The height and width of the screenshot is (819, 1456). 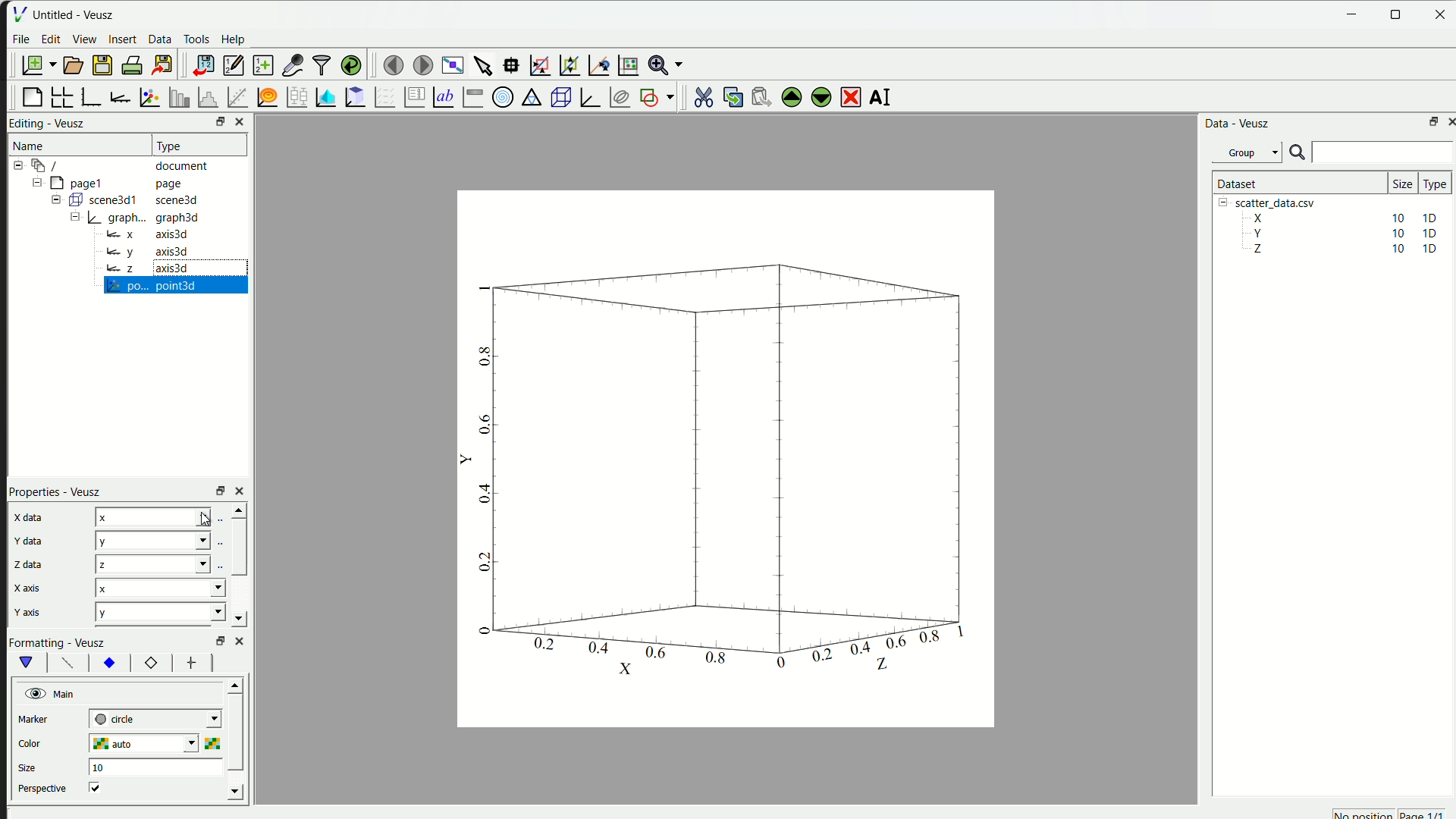 I want to click on cursor, so click(x=205, y=522).